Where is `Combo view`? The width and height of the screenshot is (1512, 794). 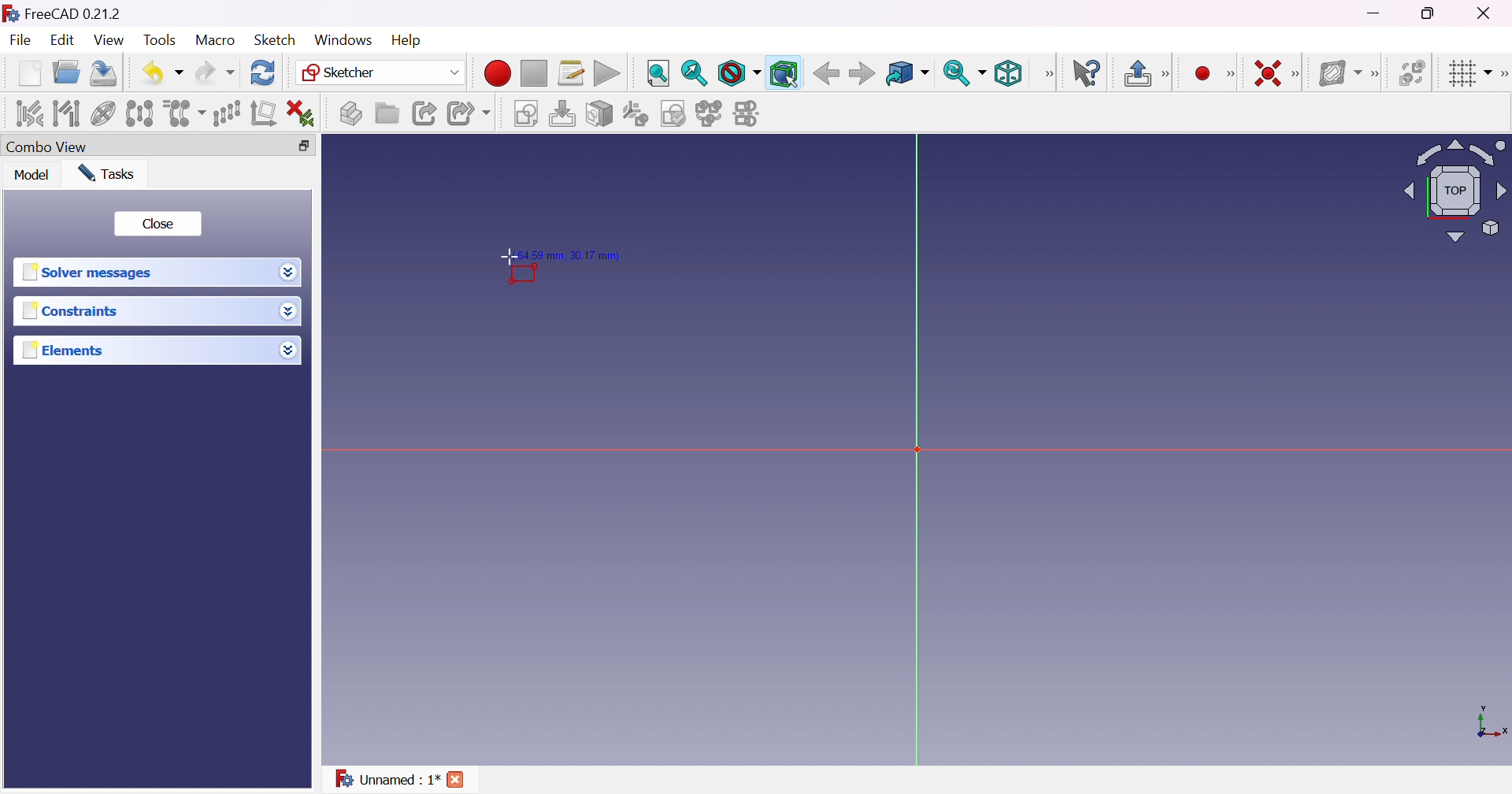
Combo view is located at coordinates (47, 147).